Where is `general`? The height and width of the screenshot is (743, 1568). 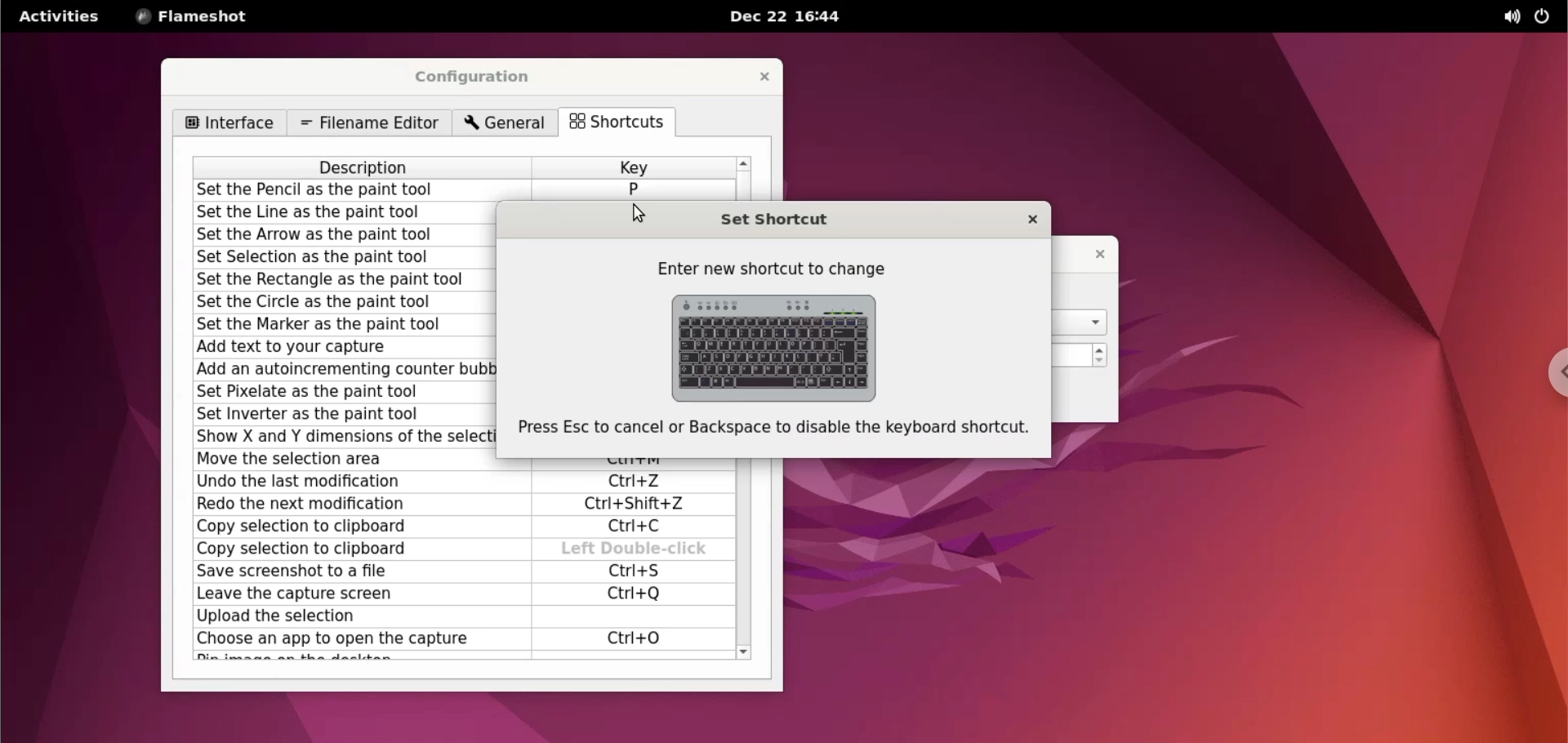
general is located at coordinates (507, 124).